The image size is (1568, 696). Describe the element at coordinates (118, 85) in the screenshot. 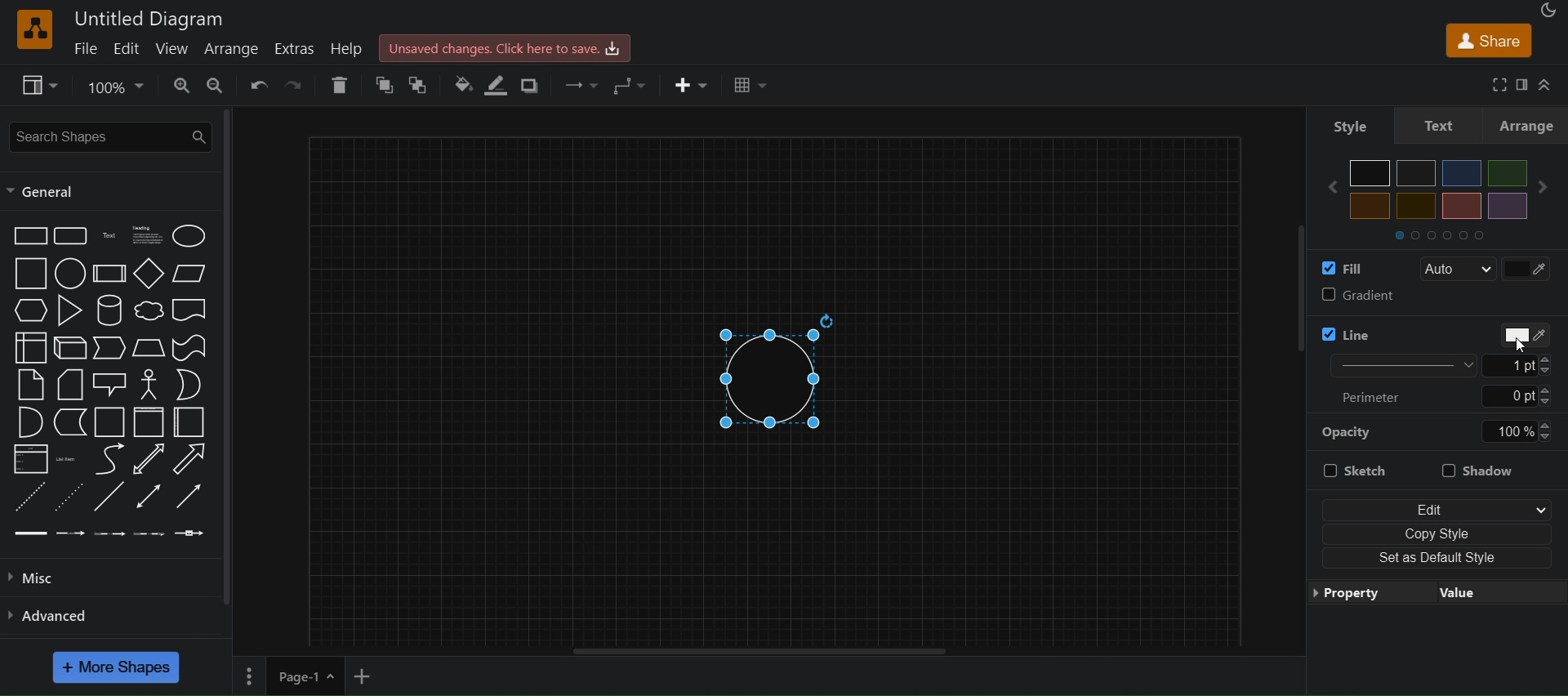

I see `zoom` at that location.